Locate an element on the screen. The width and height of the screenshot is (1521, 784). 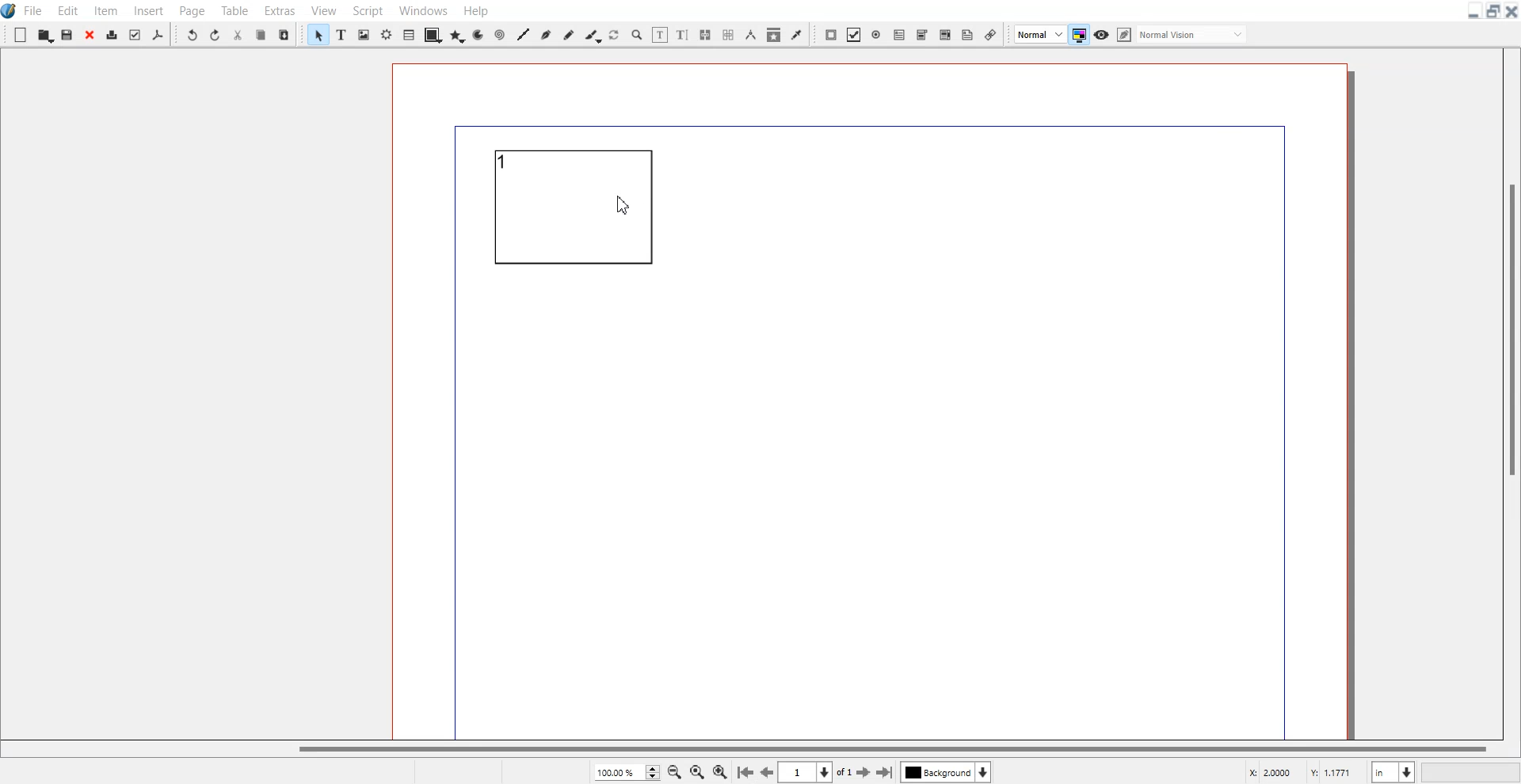
Save is located at coordinates (67, 34).